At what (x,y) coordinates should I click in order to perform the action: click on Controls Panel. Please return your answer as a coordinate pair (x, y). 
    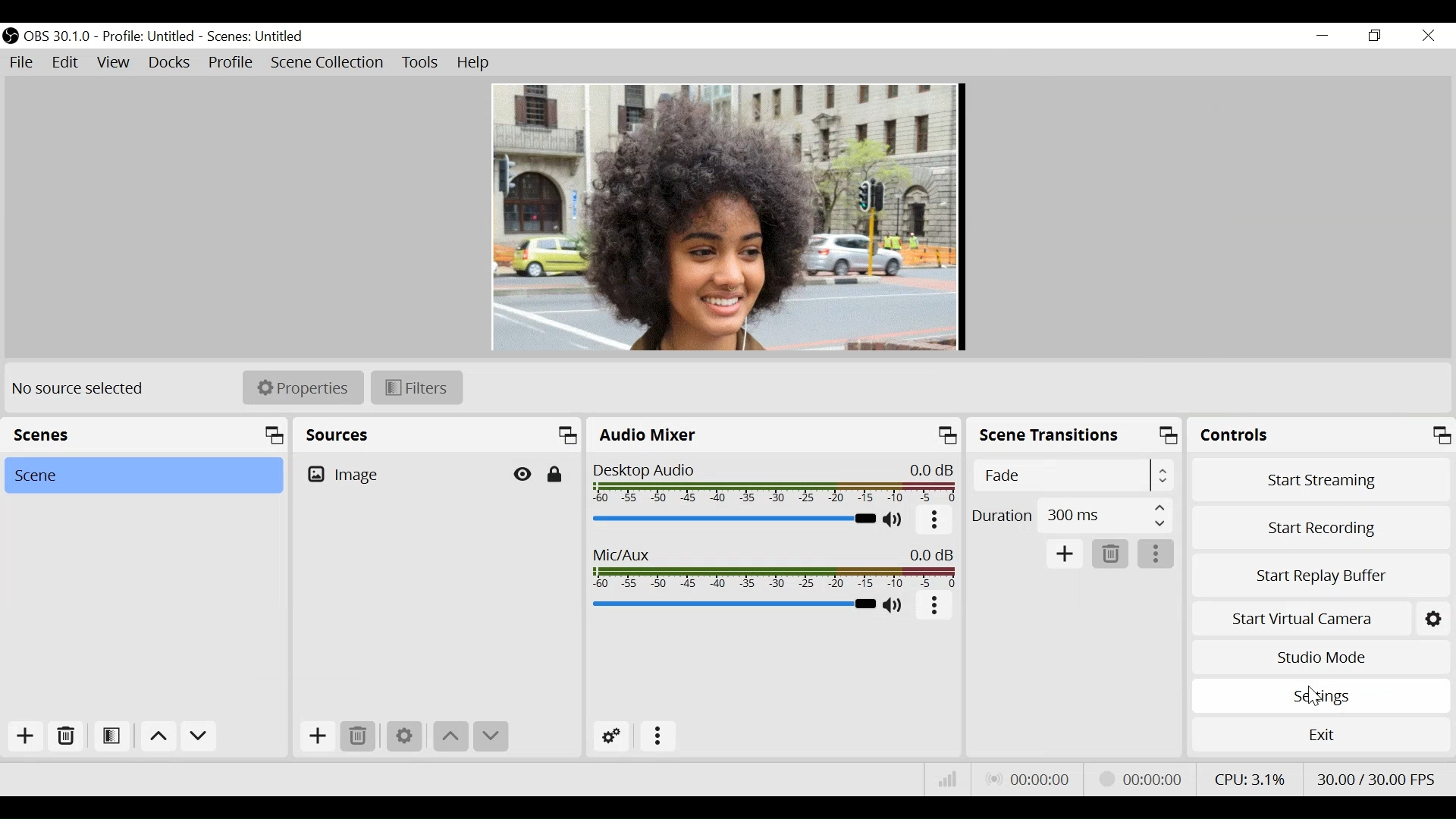
    Looking at the image, I should click on (1245, 435).